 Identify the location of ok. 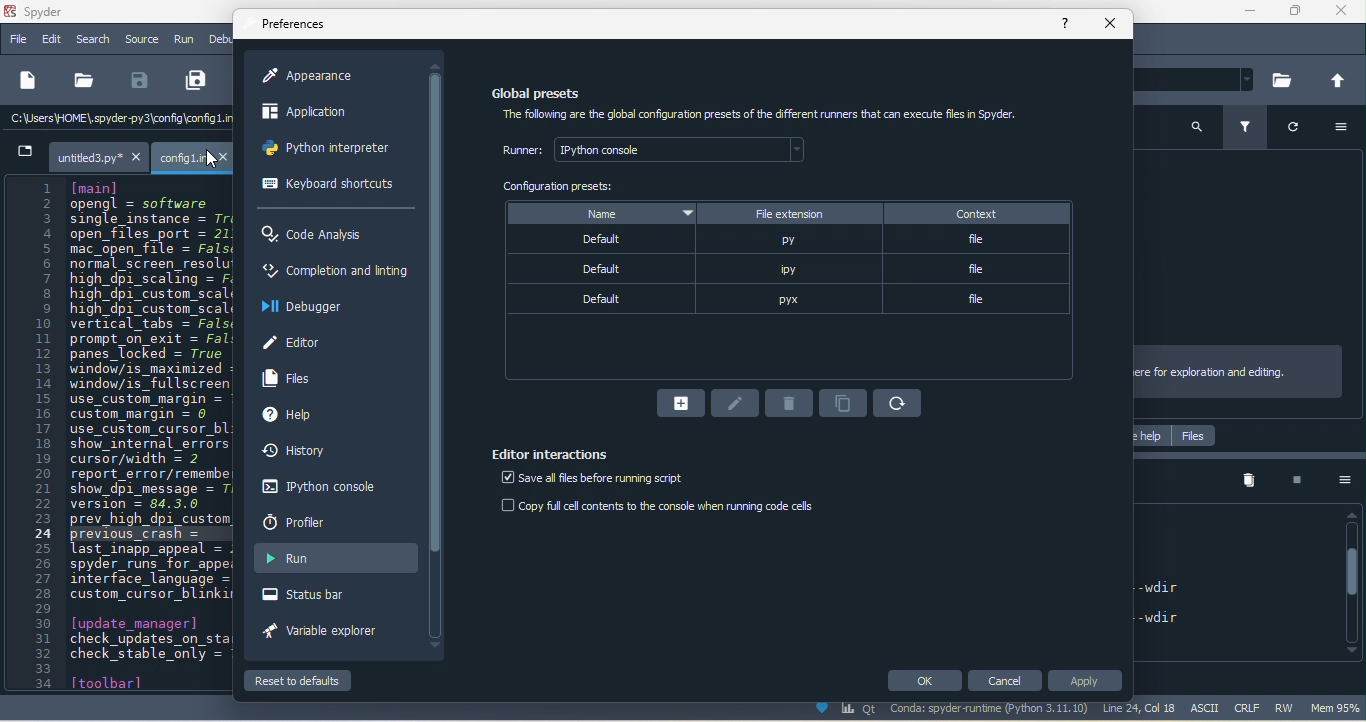
(925, 681).